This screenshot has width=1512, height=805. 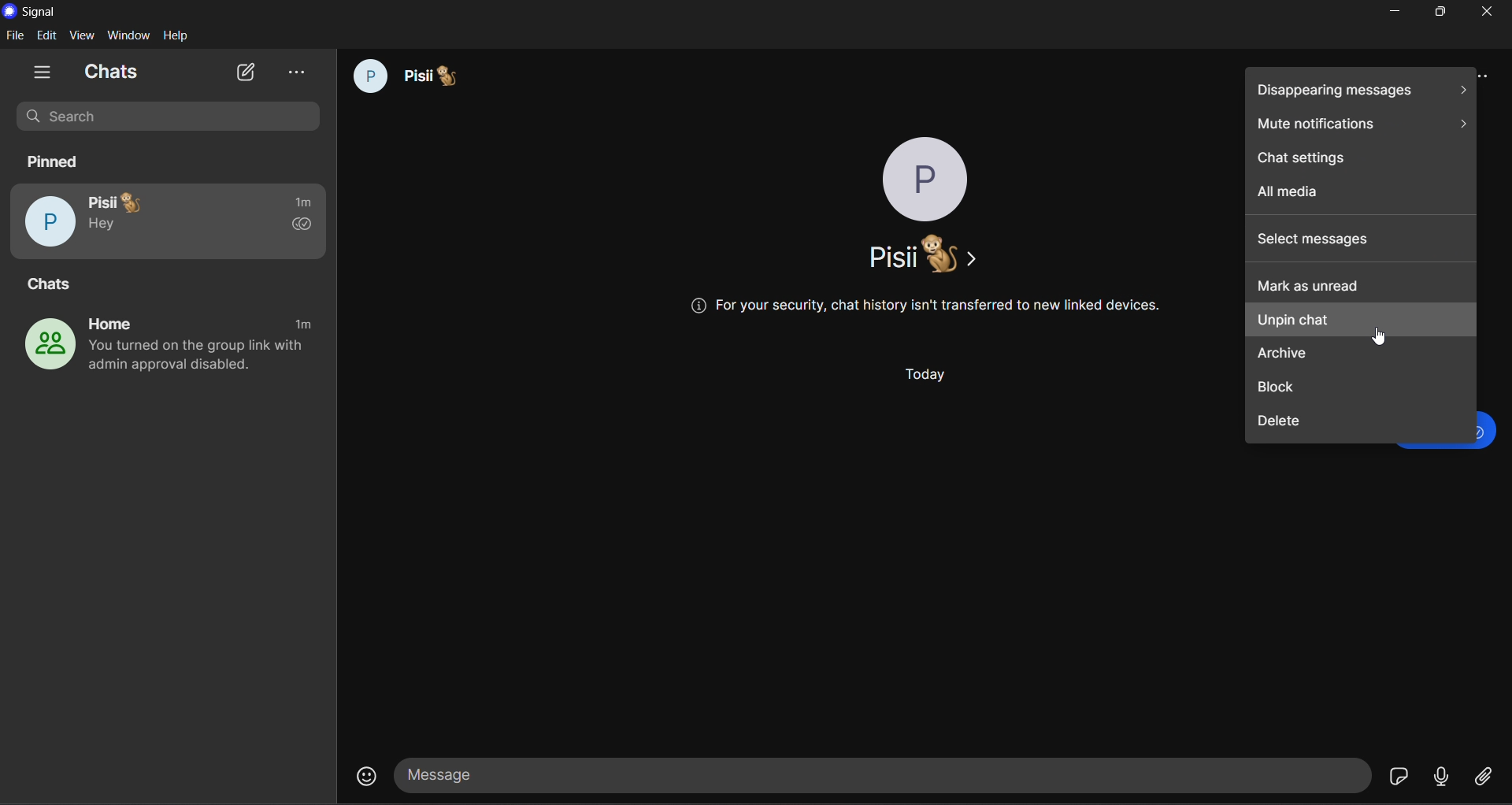 I want to click on mark as unread, so click(x=1362, y=282).